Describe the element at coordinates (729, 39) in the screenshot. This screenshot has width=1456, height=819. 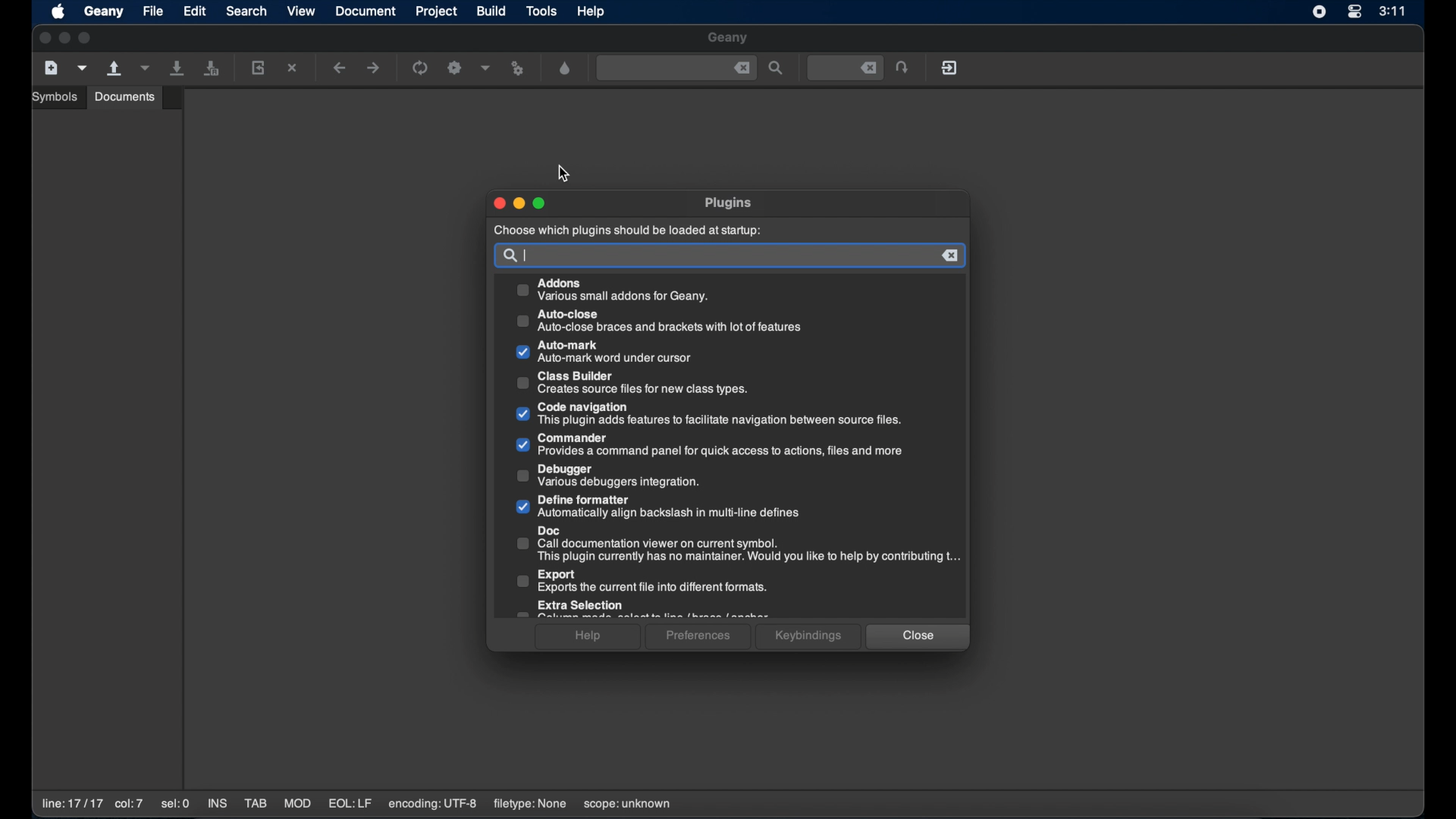
I see `geany` at that location.